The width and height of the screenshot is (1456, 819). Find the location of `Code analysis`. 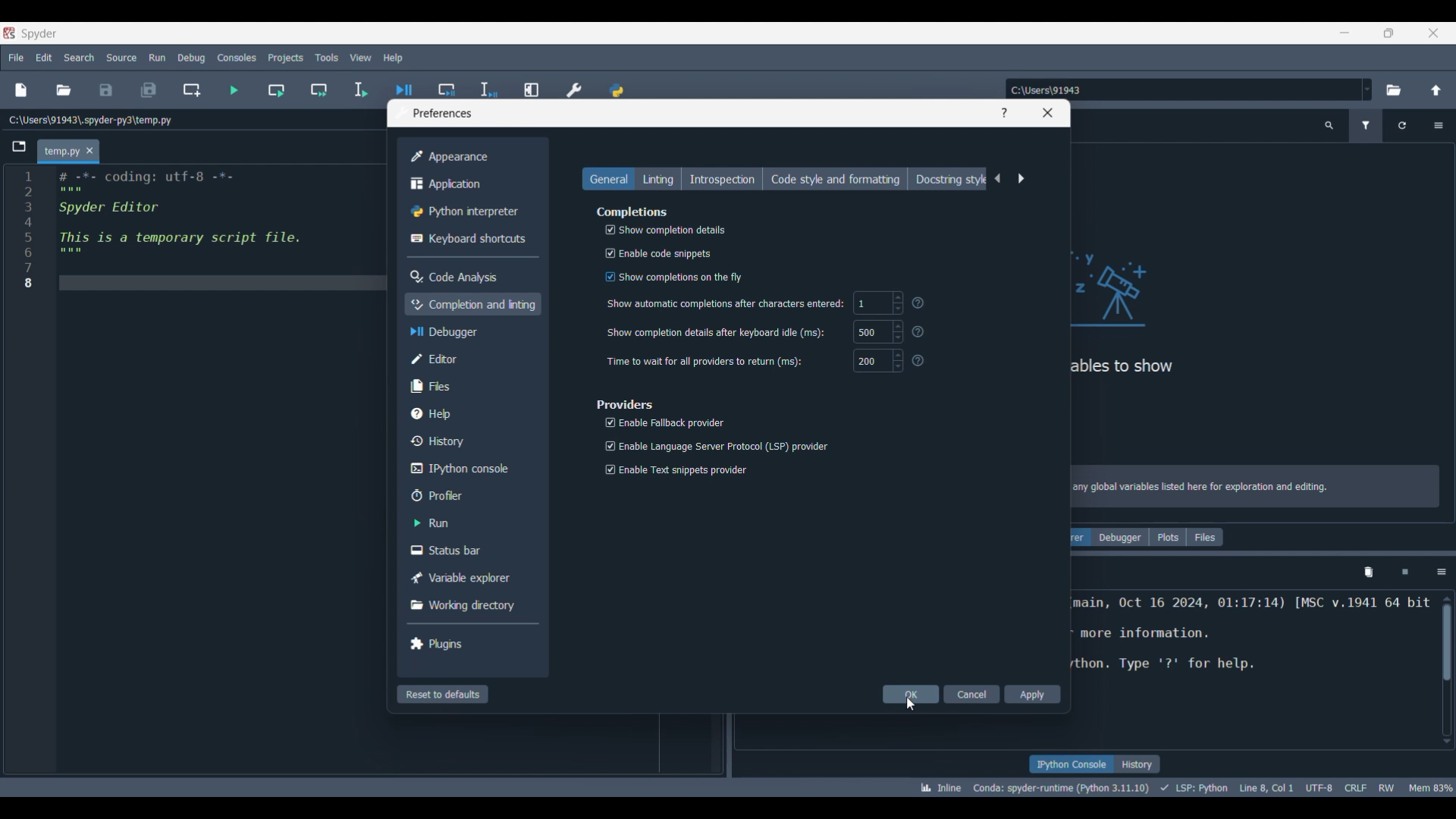

Code analysis is located at coordinates (468, 277).